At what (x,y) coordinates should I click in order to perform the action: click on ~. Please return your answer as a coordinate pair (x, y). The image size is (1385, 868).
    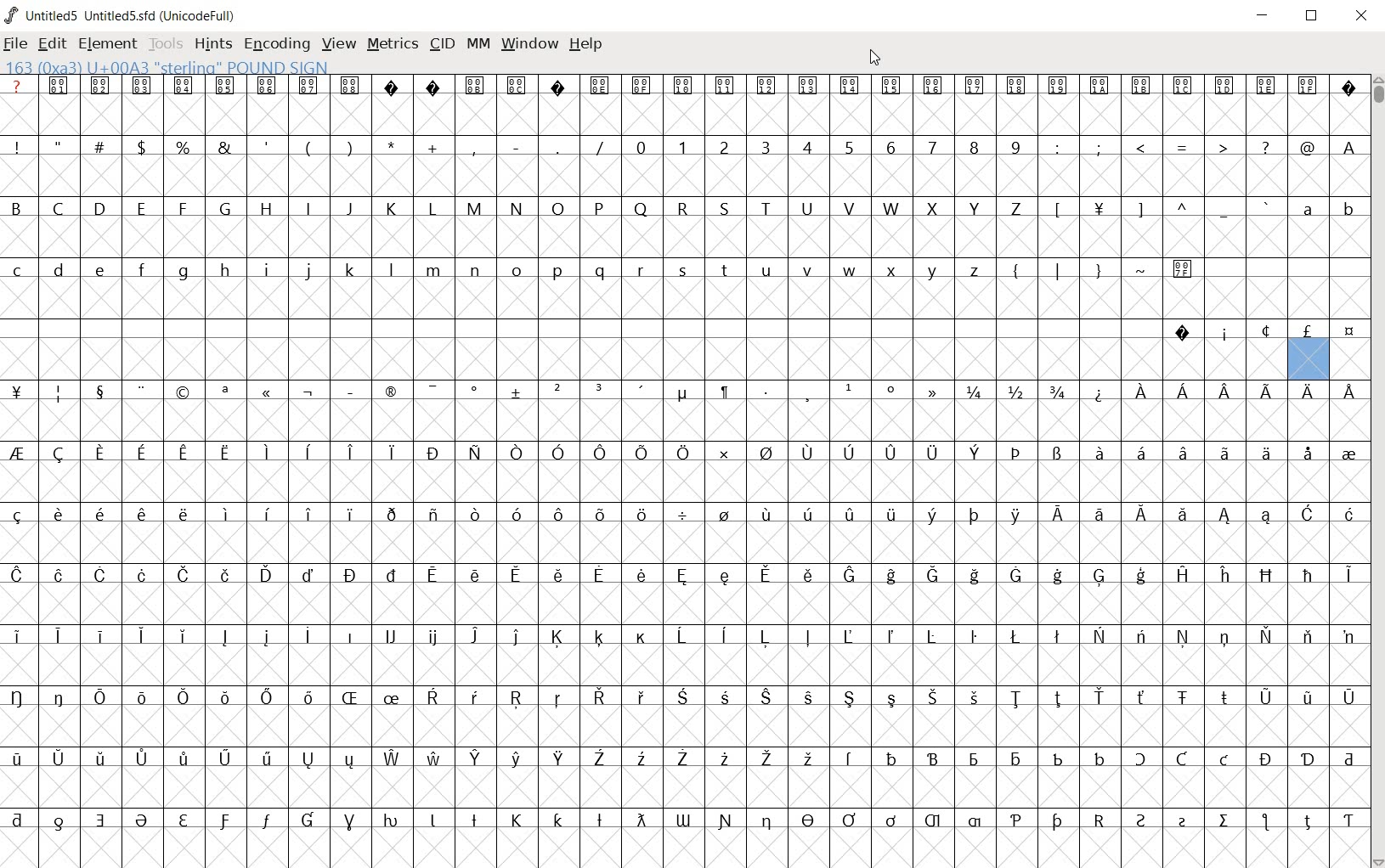
    Looking at the image, I should click on (1141, 268).